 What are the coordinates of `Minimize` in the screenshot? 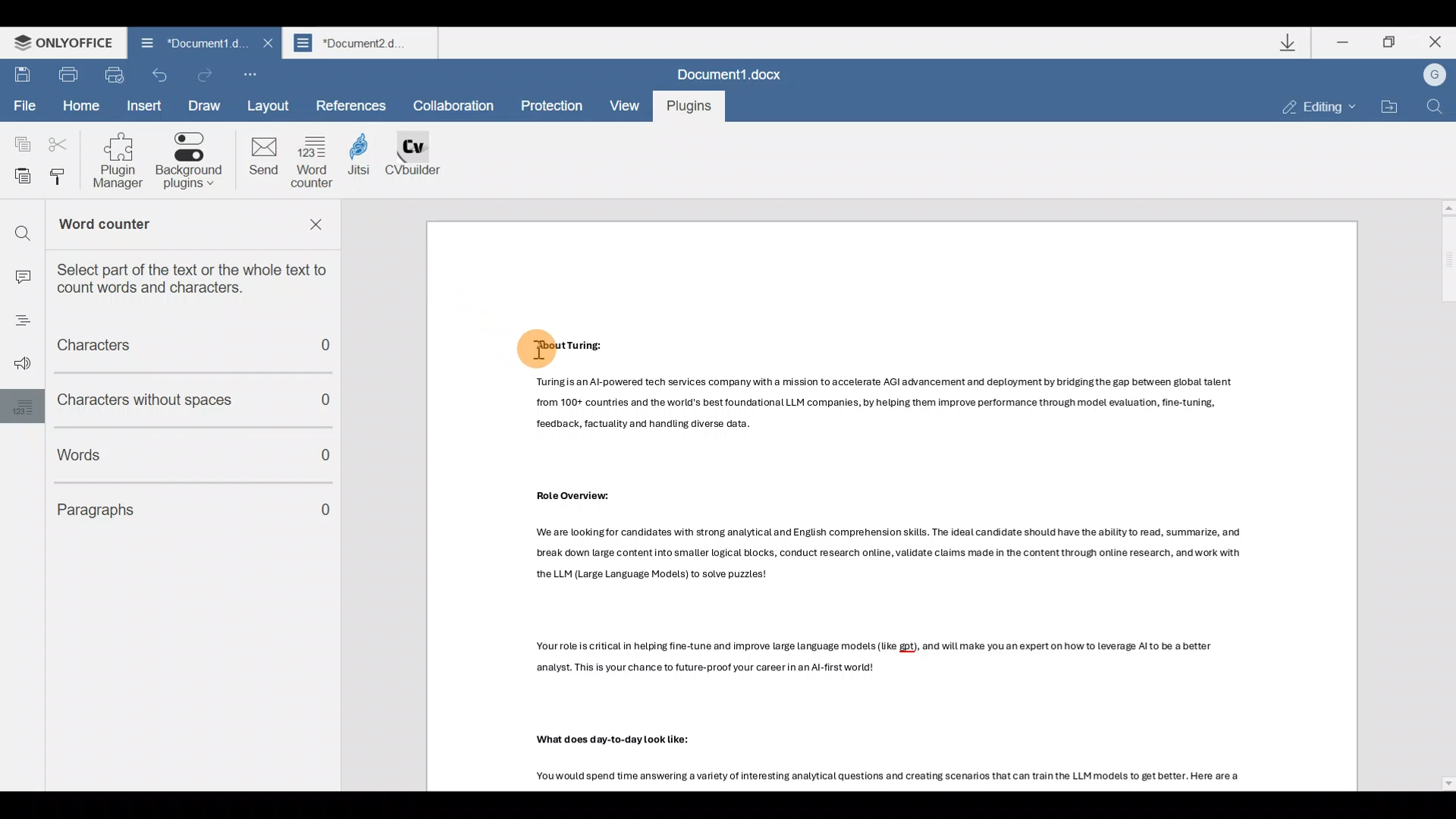 It's located at (1341, 45).